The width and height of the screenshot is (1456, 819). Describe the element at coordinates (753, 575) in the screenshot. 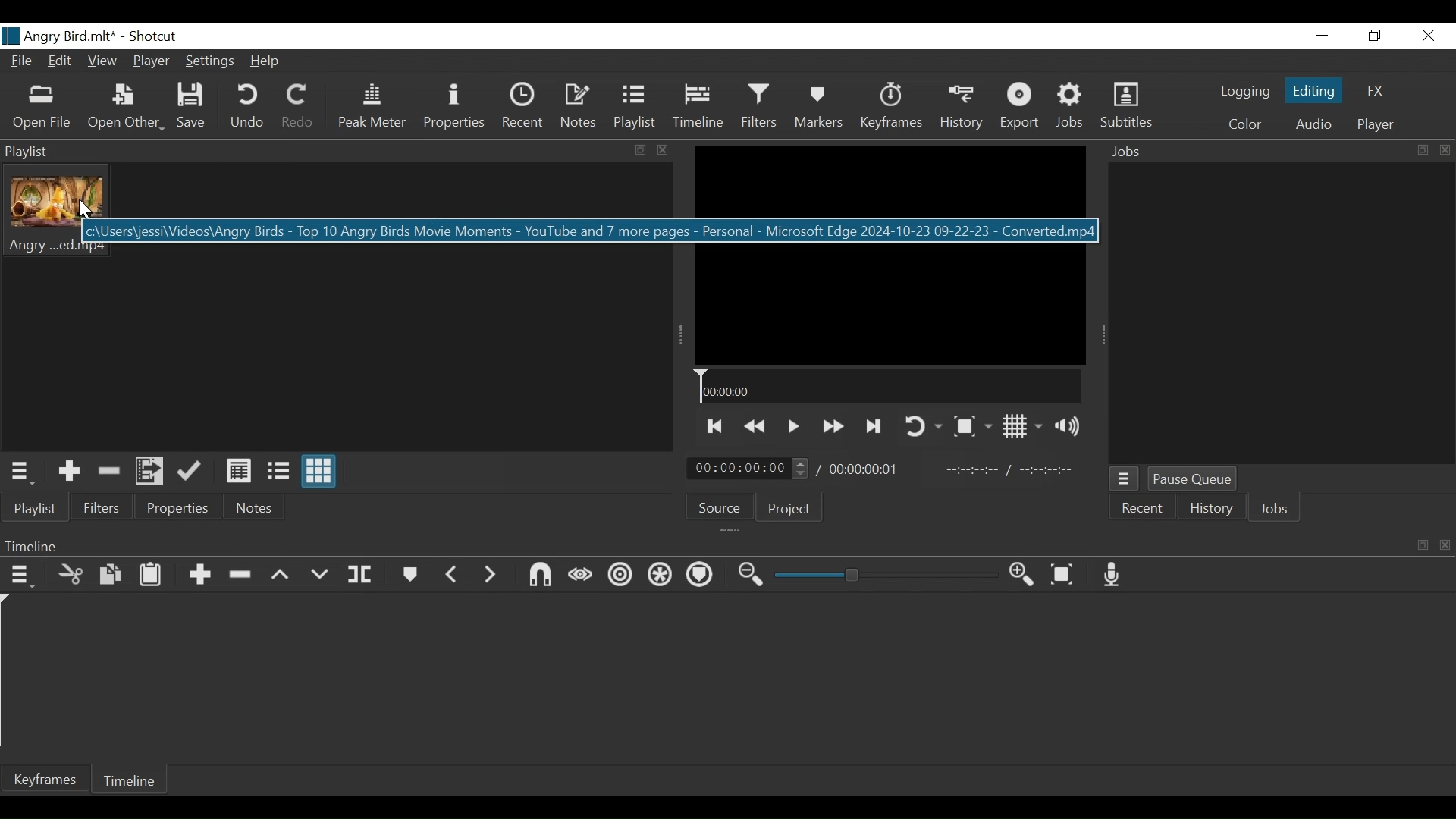

I see `Zoom timeline out` at that location.